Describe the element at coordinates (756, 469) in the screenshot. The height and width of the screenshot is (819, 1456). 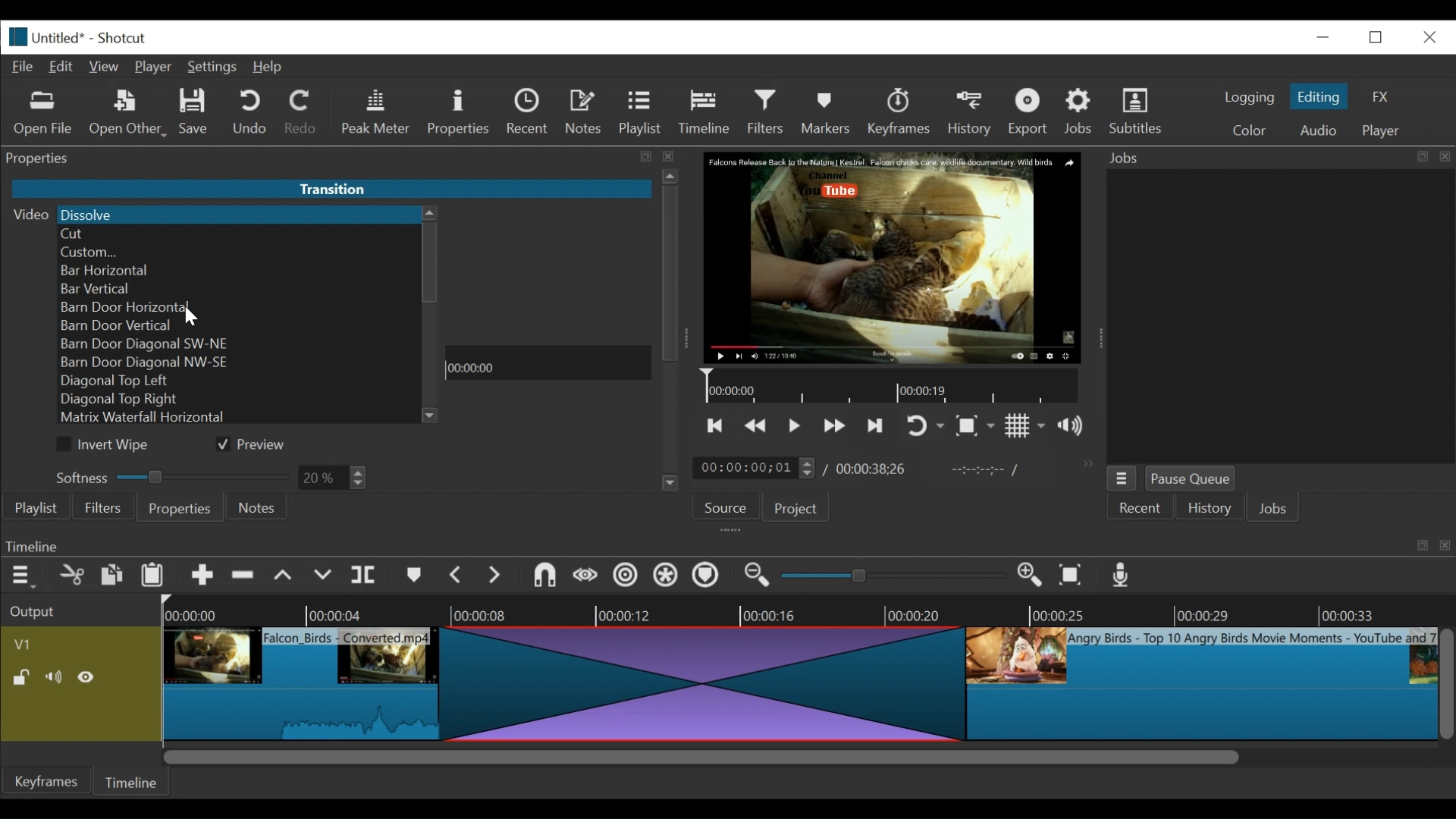
I see `current duration` at that location.